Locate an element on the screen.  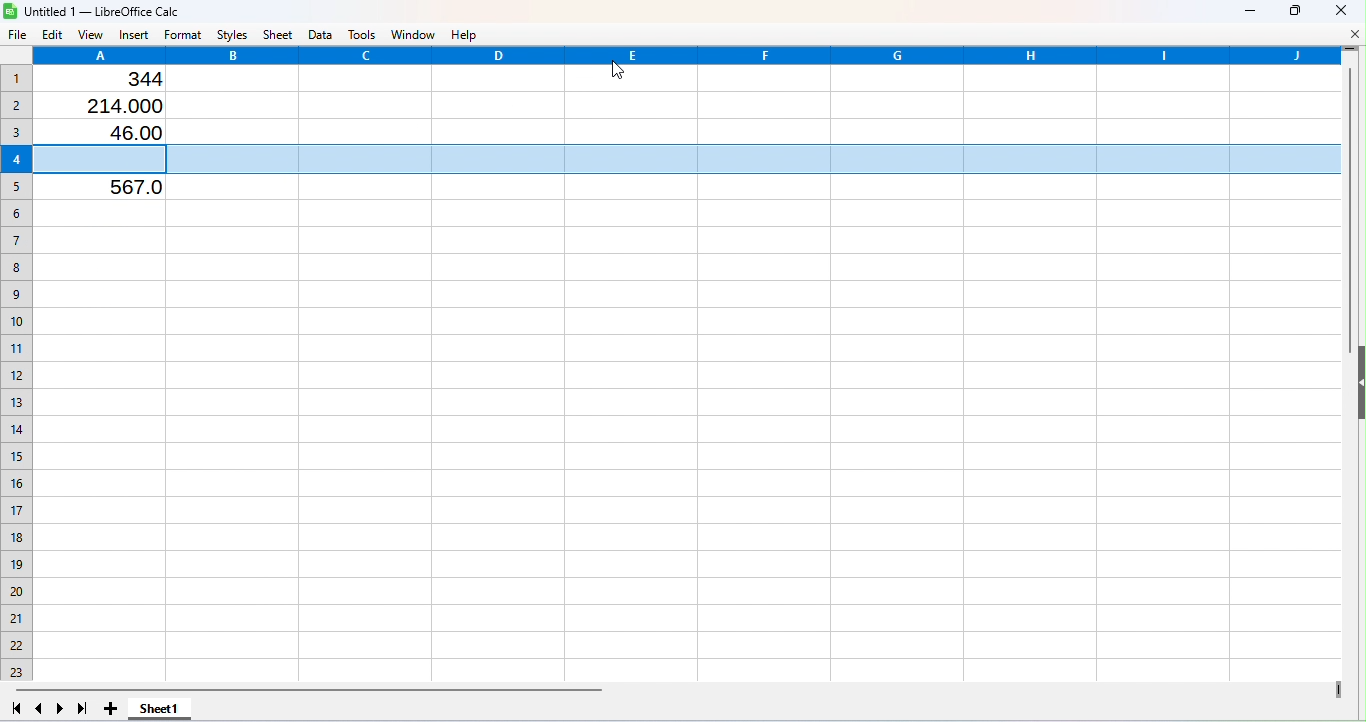
Scroll to last sheet is located at coordinates (81, 709).